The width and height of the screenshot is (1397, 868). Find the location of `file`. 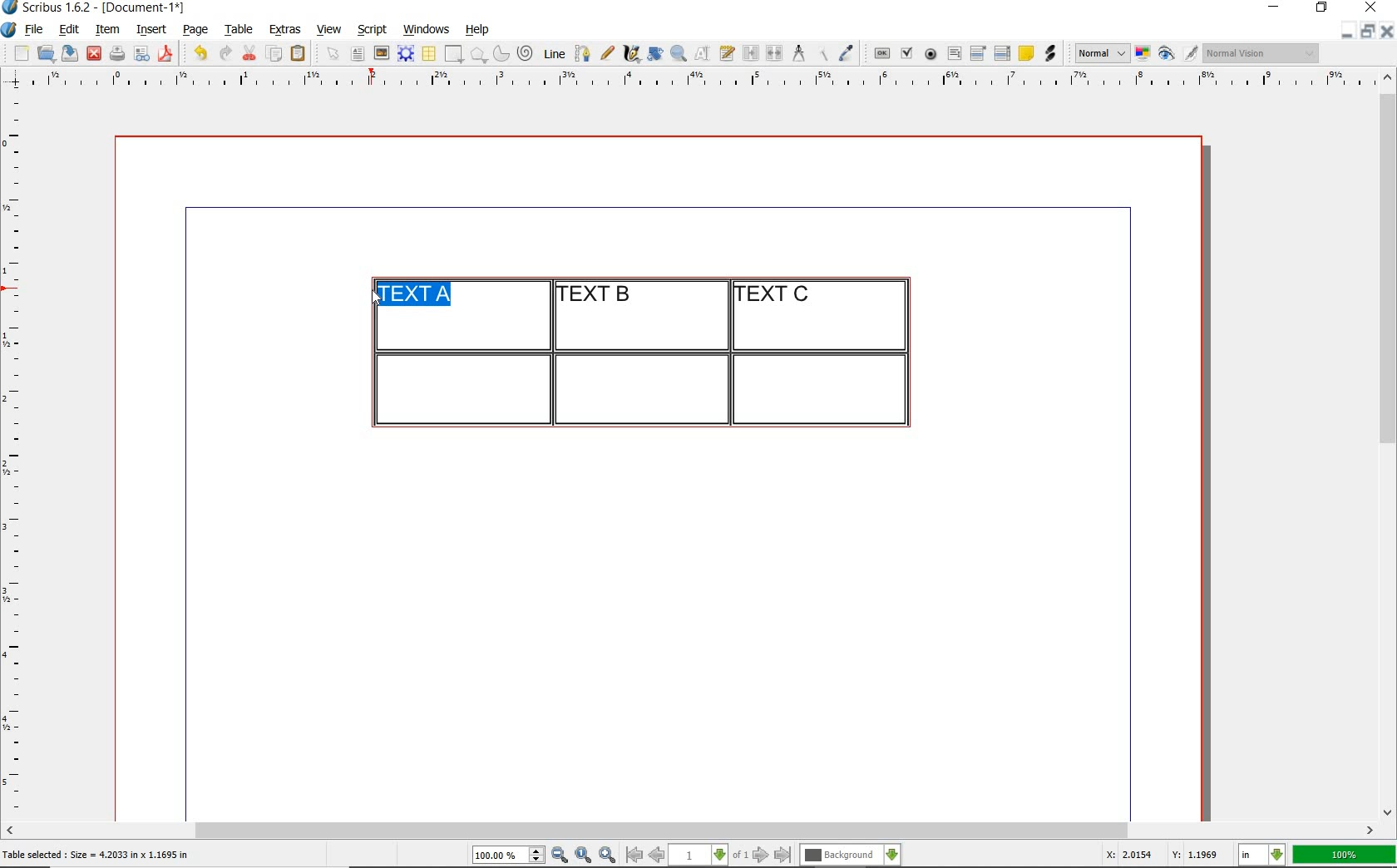

file is located at coordinates (36, 30).